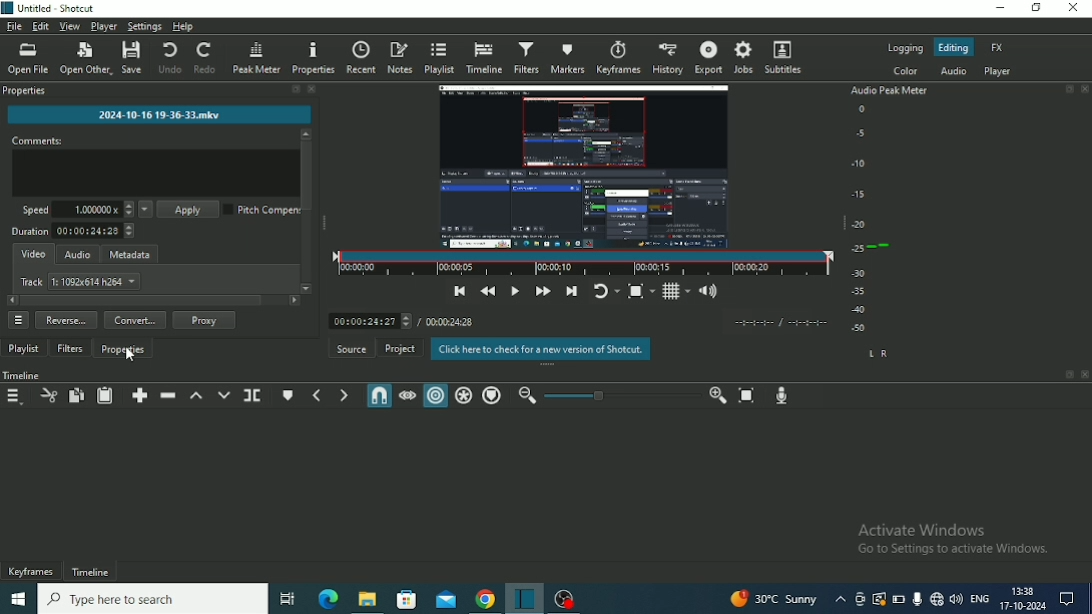 The image size is (1092, 614). I want to click on Lift, so click(196, 395).